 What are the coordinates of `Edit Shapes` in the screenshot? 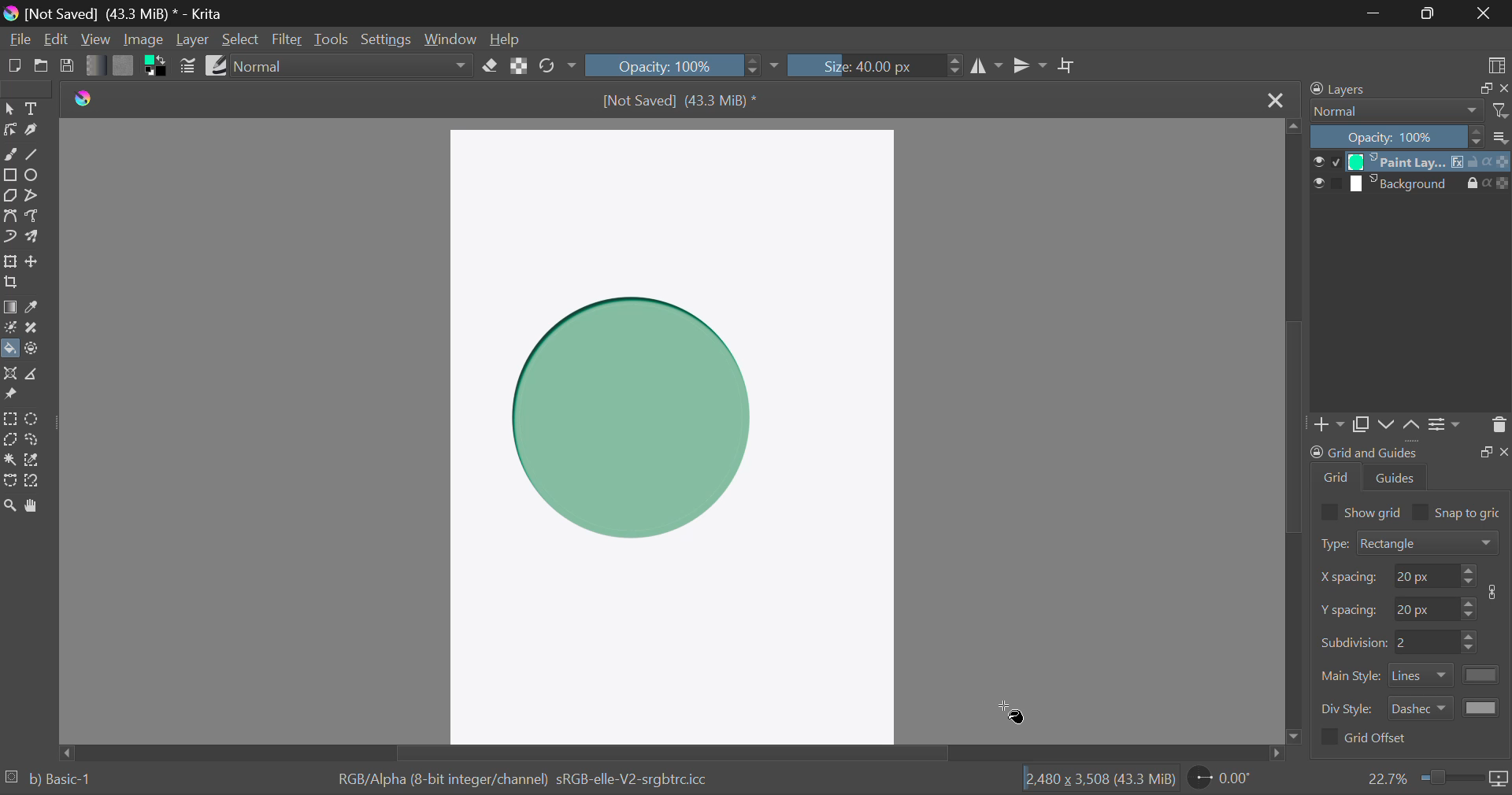 It's located at (9, 129).